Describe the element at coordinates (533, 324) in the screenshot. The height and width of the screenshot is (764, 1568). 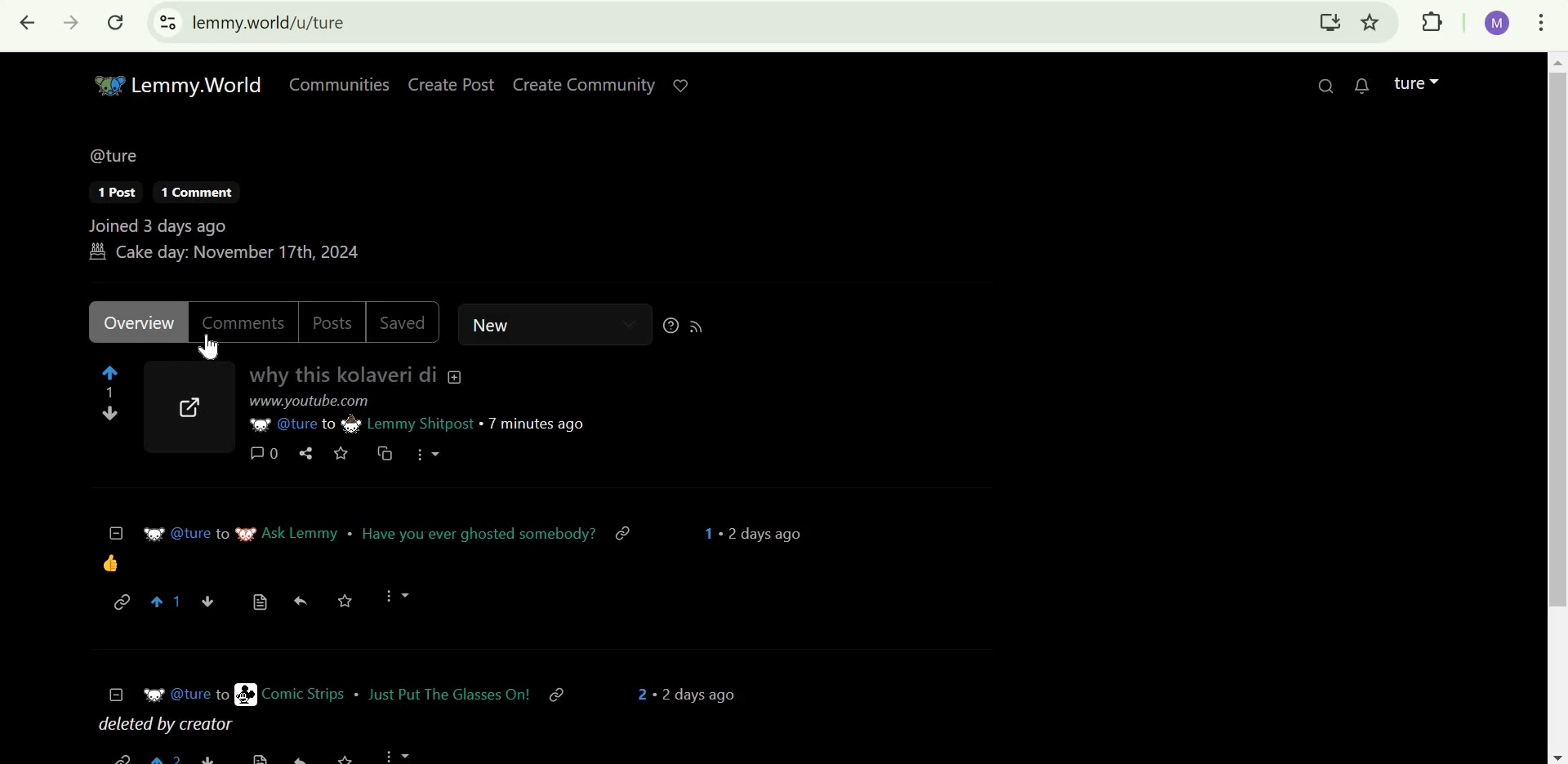
I see `New` at that location.